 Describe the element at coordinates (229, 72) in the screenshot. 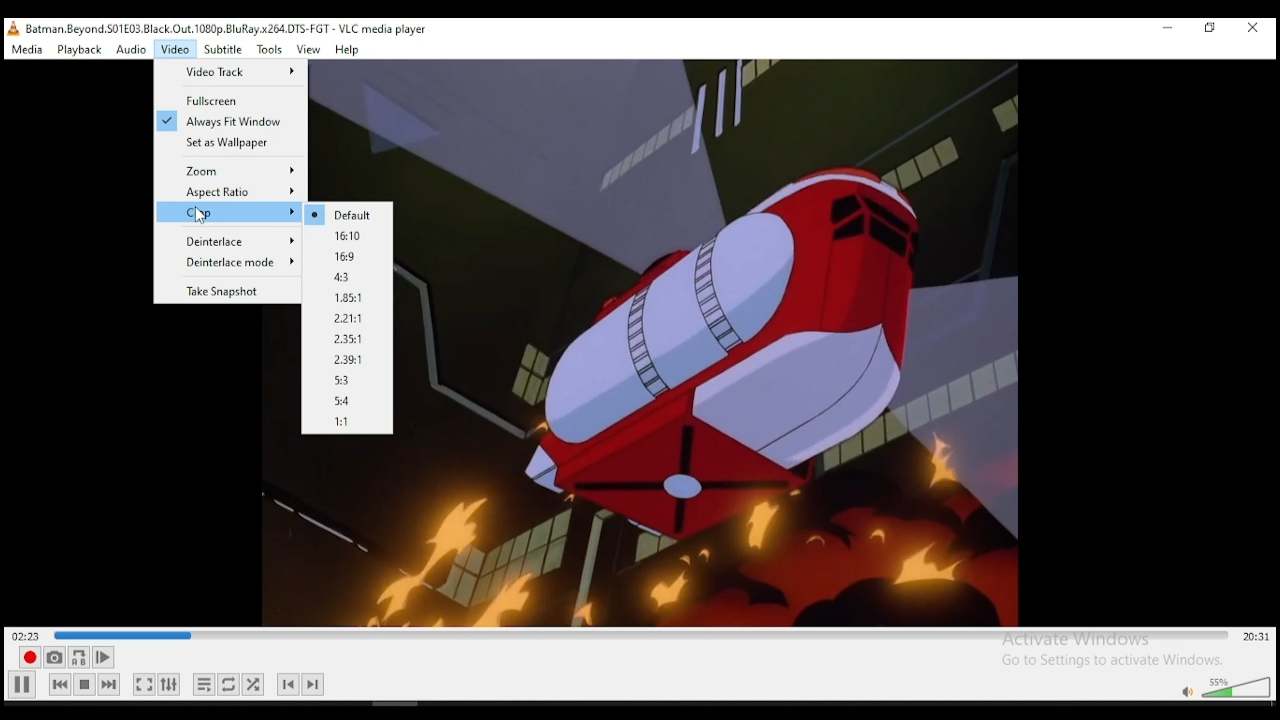

I see `Video Track` at that location.